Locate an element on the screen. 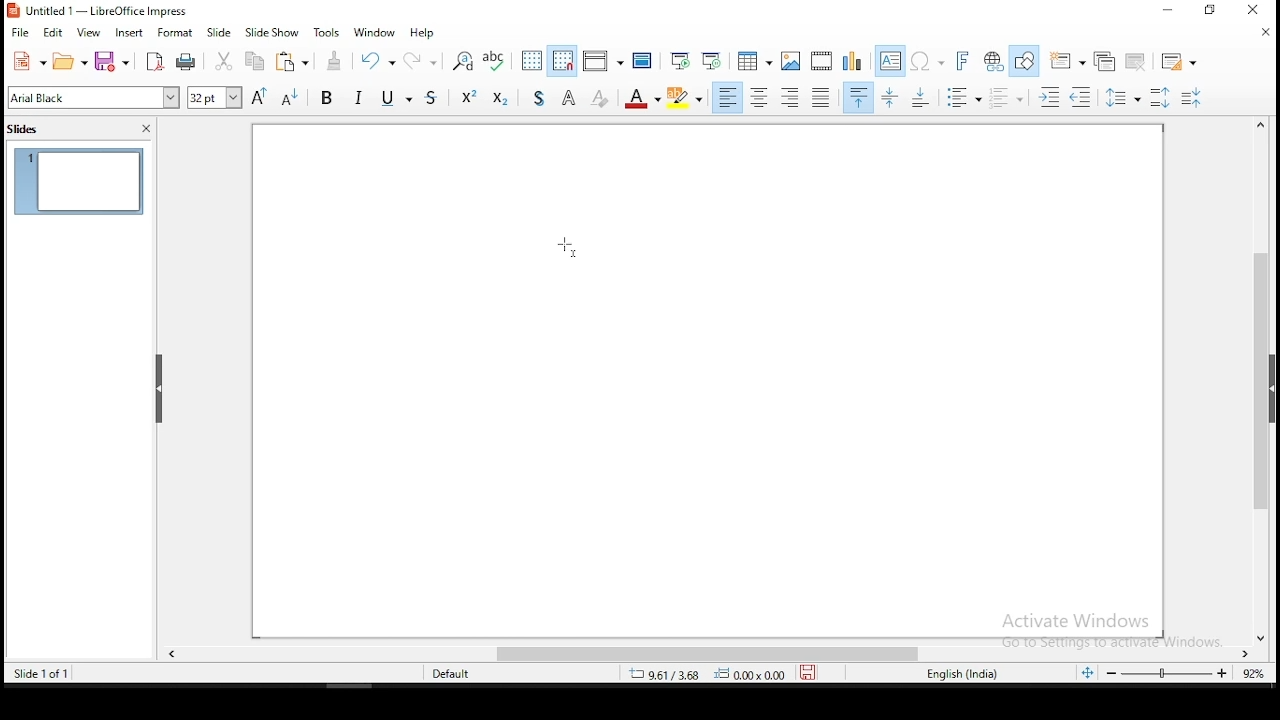 The height and width of the screenshot is (720, 1280). slide show is located at coordinates (220, 32).